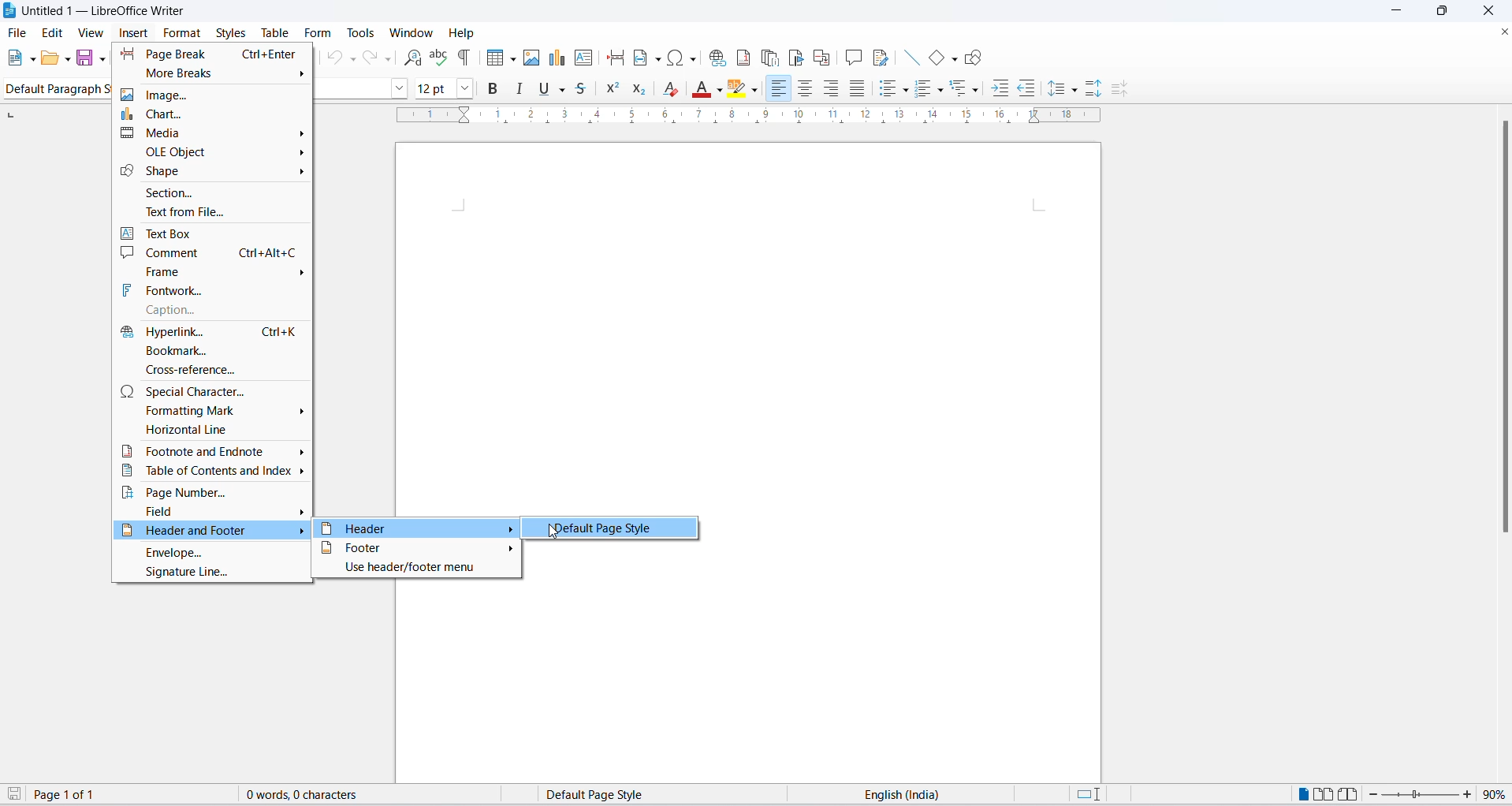 Image resolution: width=1512 pixels, height=806 pixels. I want to click on table of content and index, so click(210, 472).